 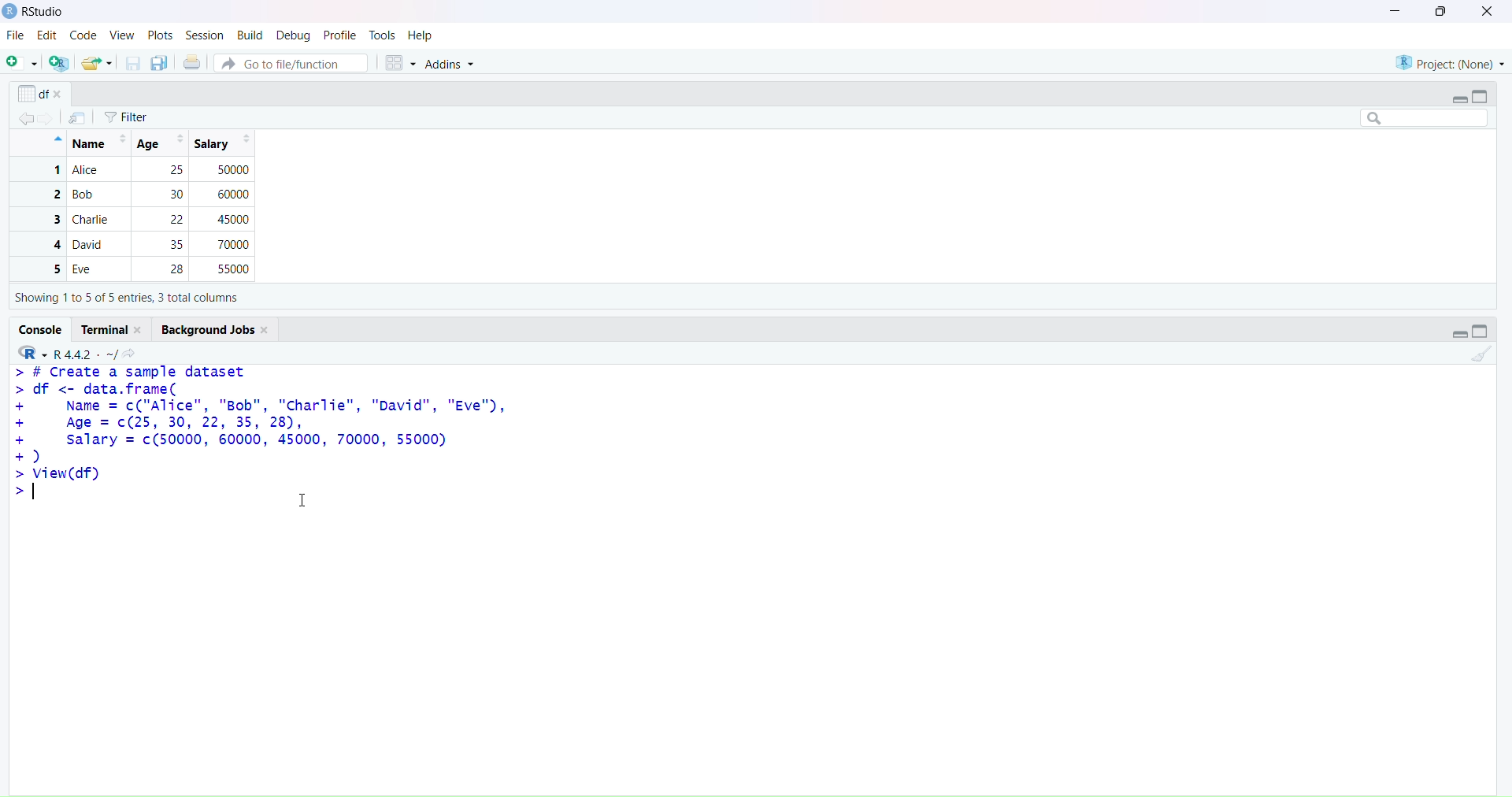 What do you see at coordinates (306, 499) in the screenshot?
I see `cursor` at bounding box center [306, 499].